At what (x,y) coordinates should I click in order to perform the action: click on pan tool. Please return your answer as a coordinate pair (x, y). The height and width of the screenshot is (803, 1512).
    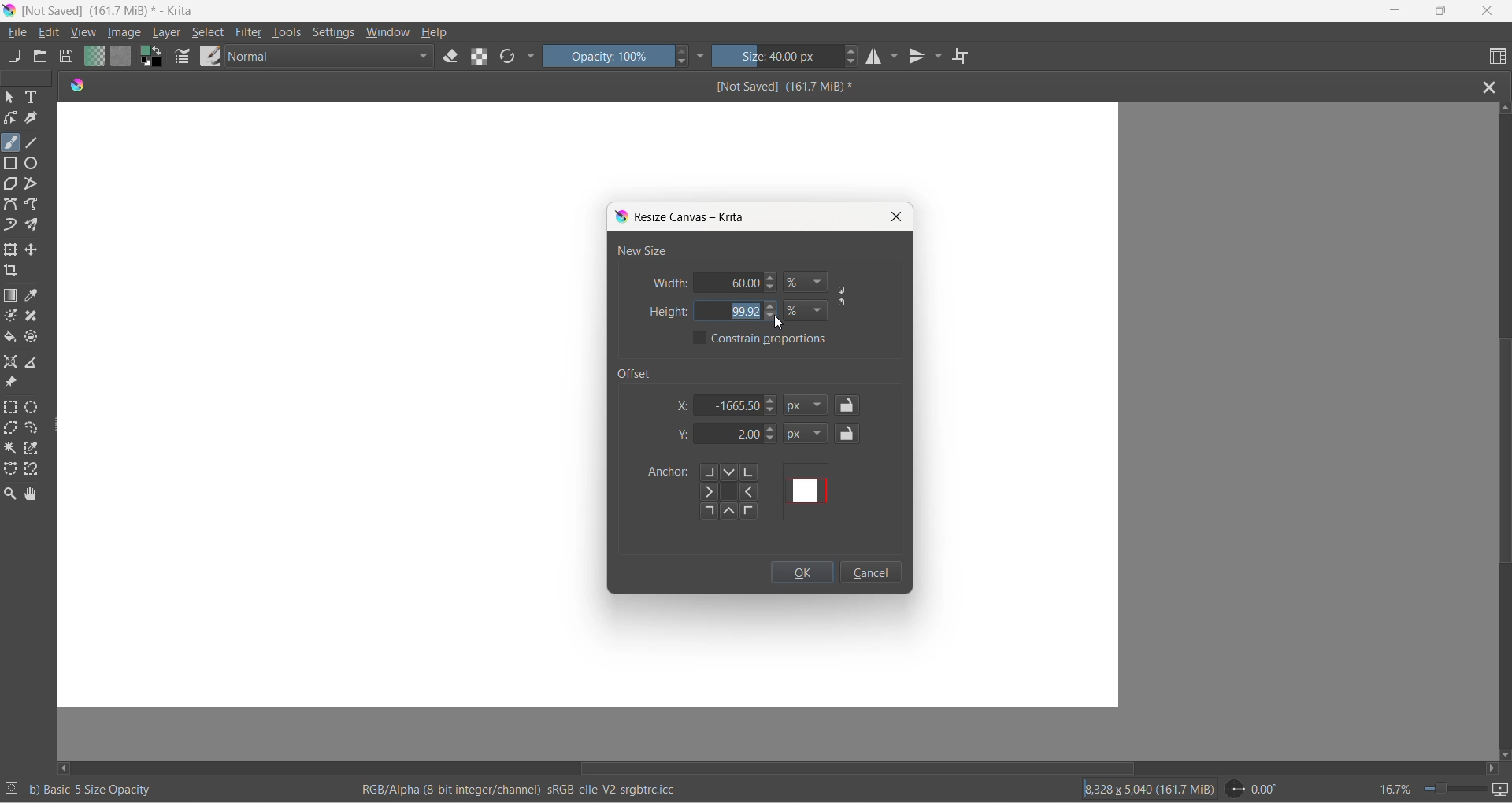
    Looking at the image, I should click on (31, 495).